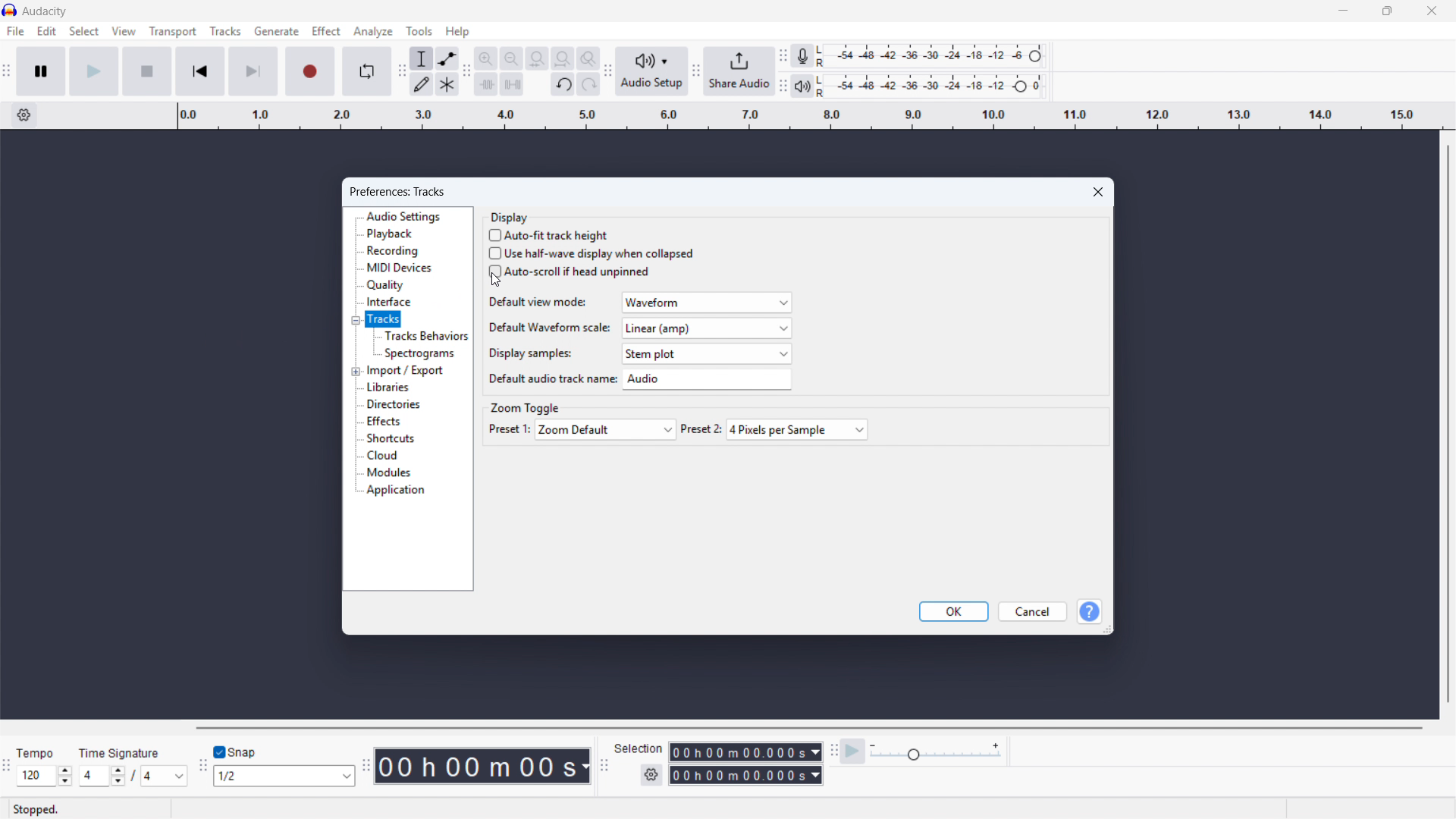 The width and height of the screenshot is (1456, 819). What do you see at coordinates (588, 58) in the screenshot?
I see `toggle zoom` at bounding box center [588, 58].